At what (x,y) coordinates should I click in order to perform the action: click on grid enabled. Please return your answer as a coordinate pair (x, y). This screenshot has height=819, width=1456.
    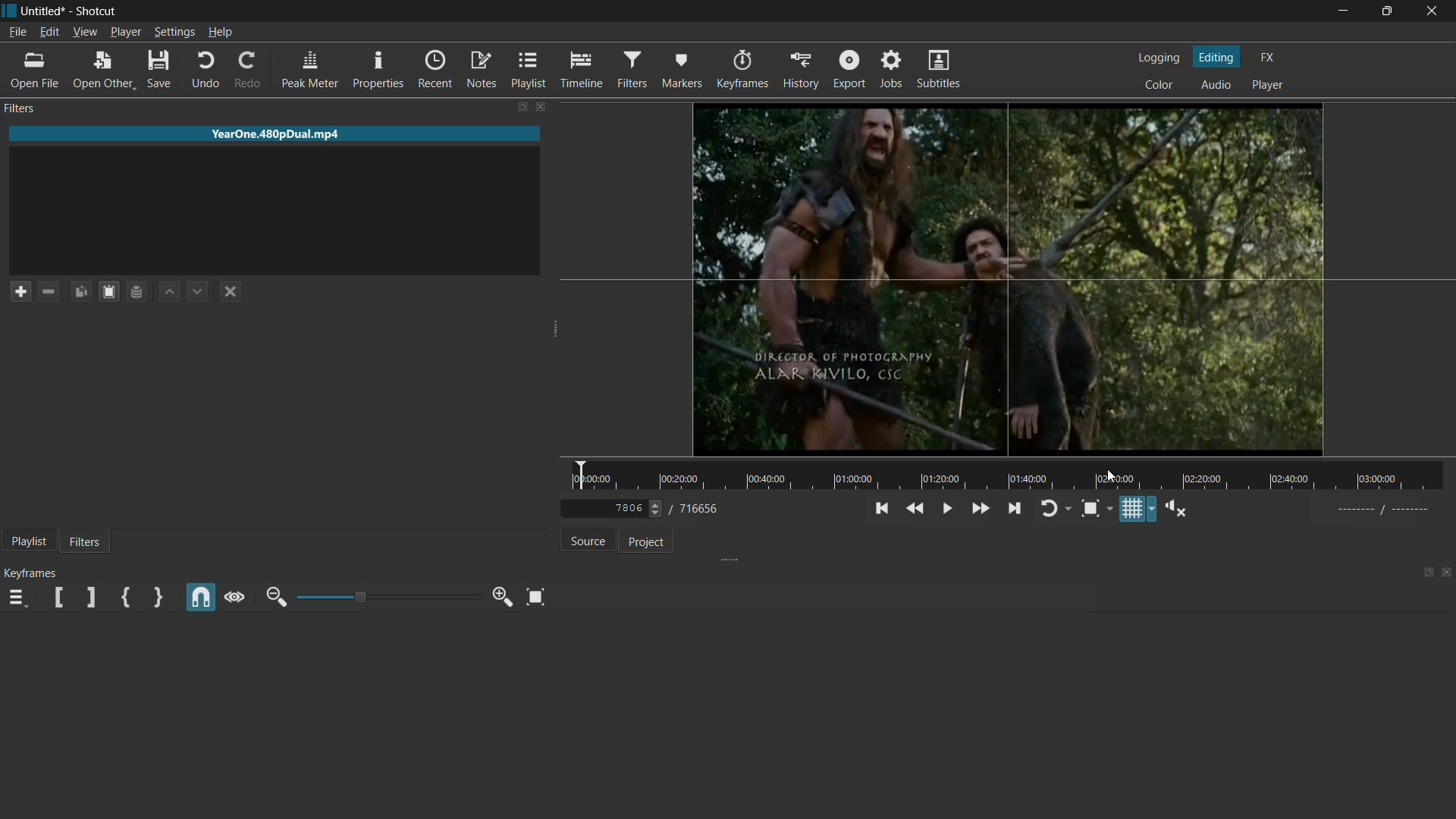
    Looking at the image, I should click on (1011, 281).